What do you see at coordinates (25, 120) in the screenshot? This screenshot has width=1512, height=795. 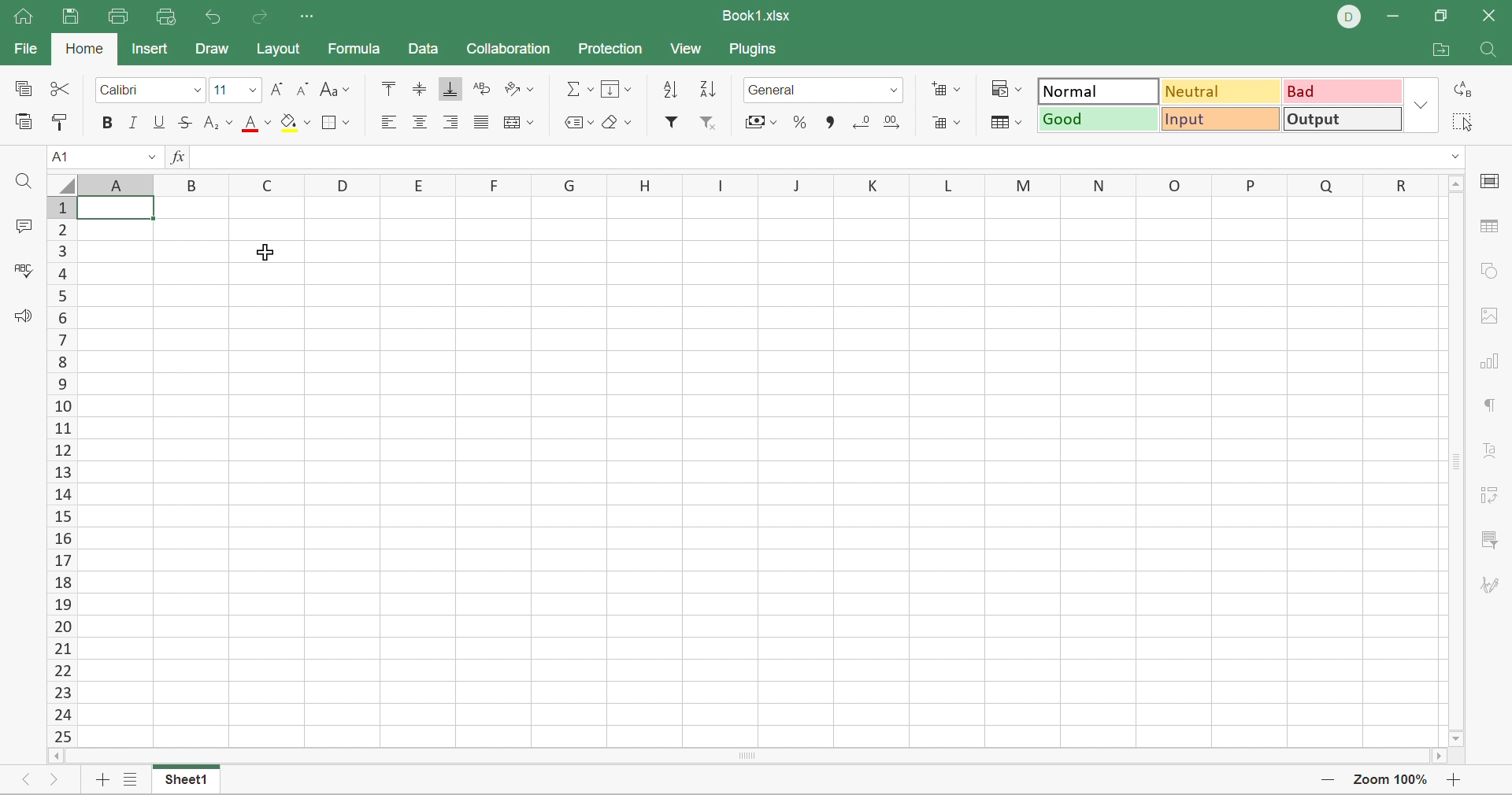 I see `Paste` at bounding box center [25, 120].